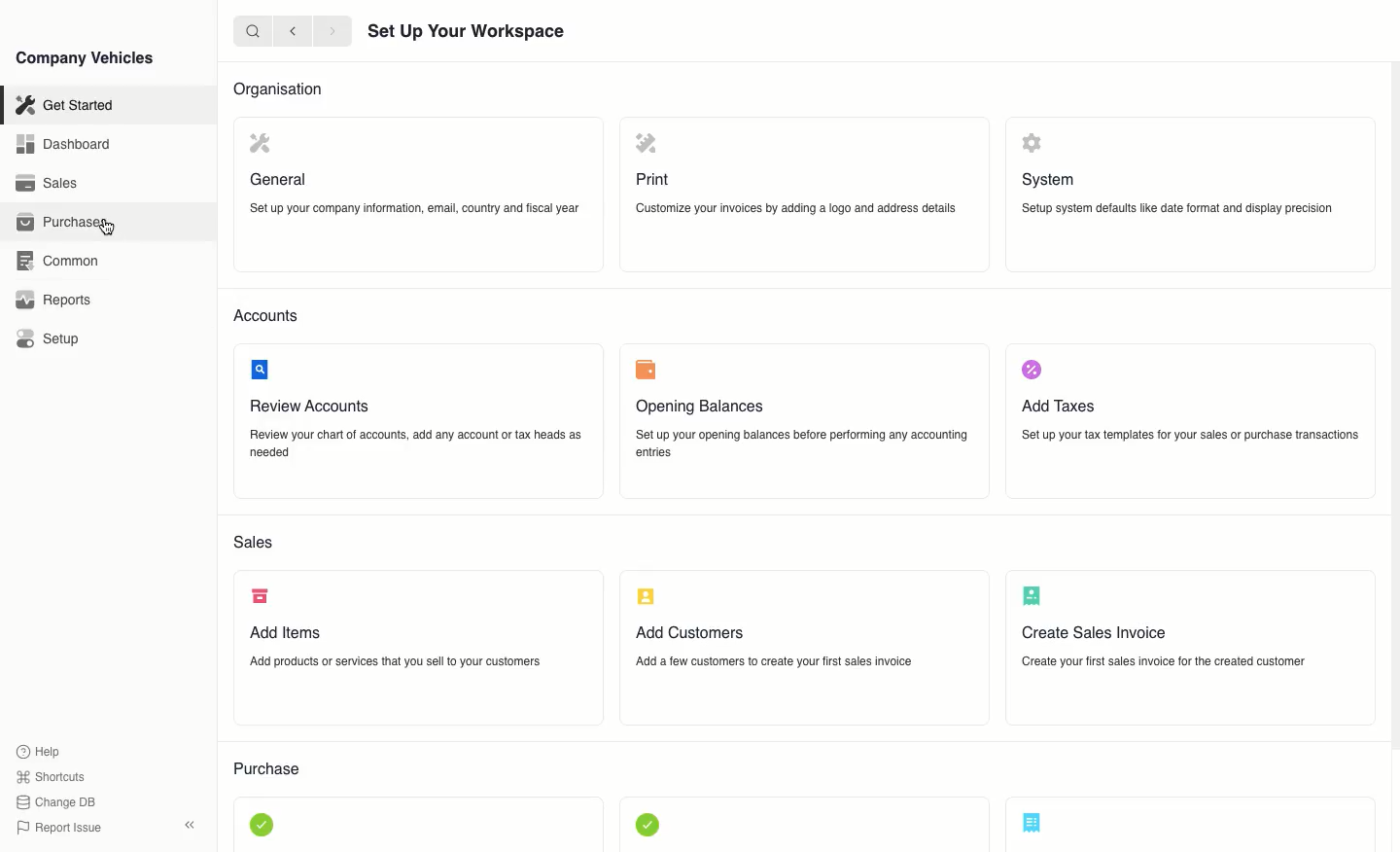 The image size is (1400, 852). I want to click on Review Accounts, so click(307, 408).